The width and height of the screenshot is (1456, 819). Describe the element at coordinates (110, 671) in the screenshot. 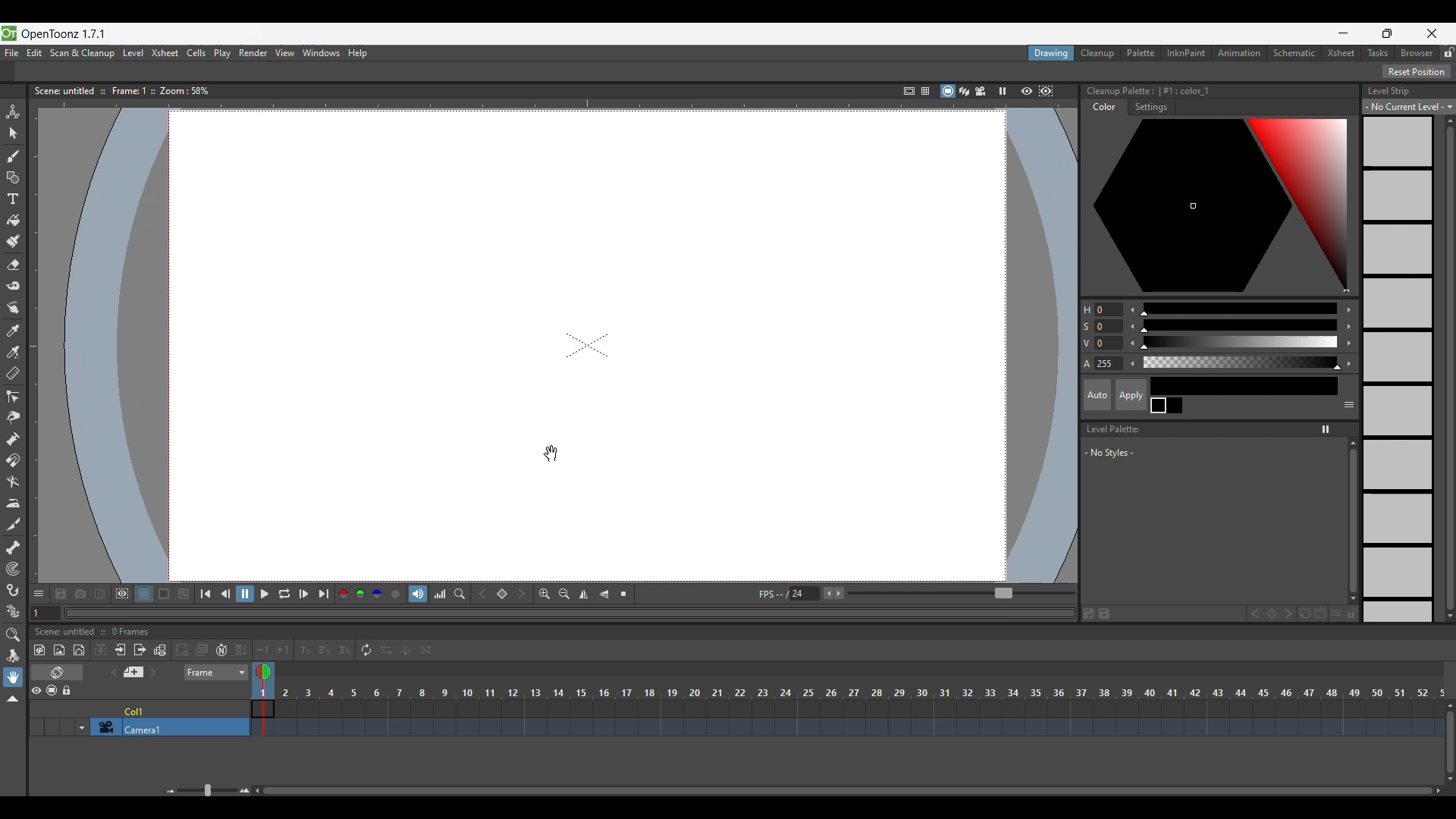

I see `Previous memo` at that location.